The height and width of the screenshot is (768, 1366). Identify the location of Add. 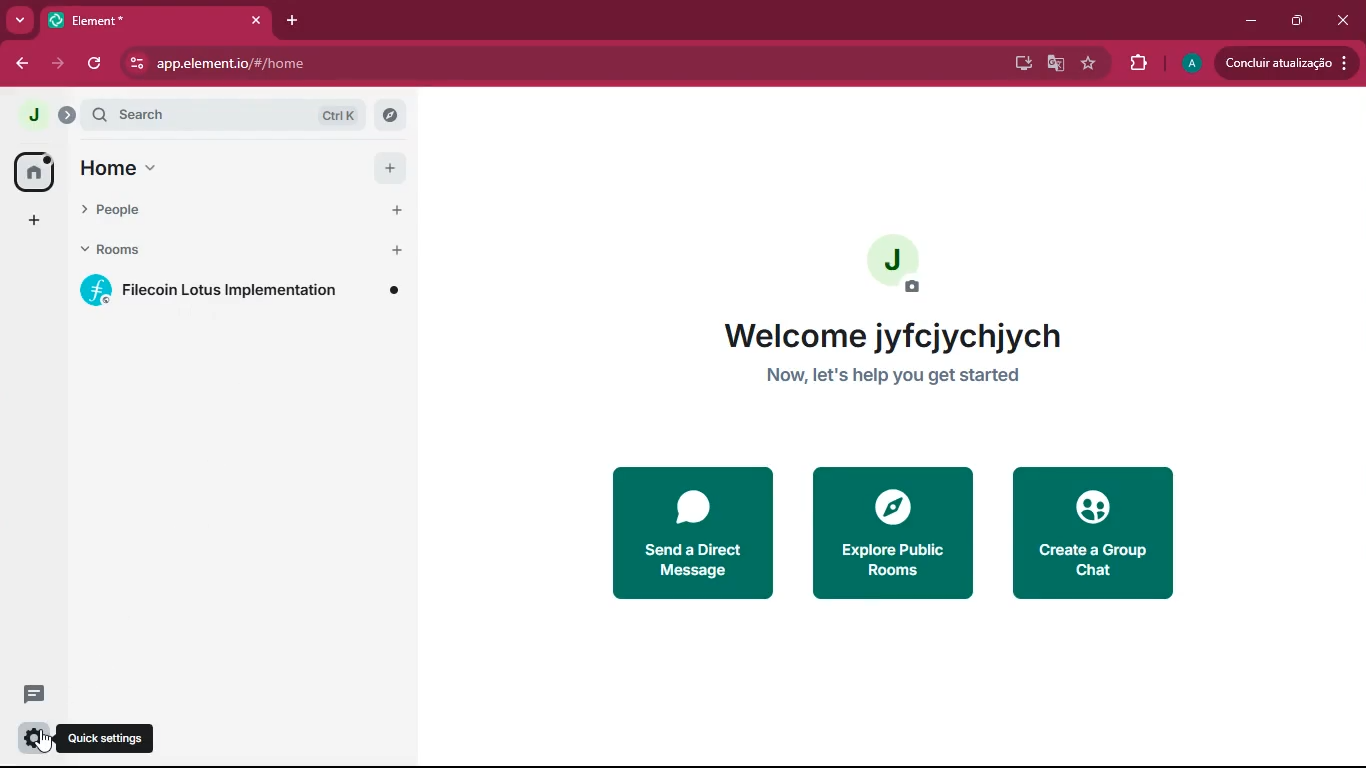
(398, 212).